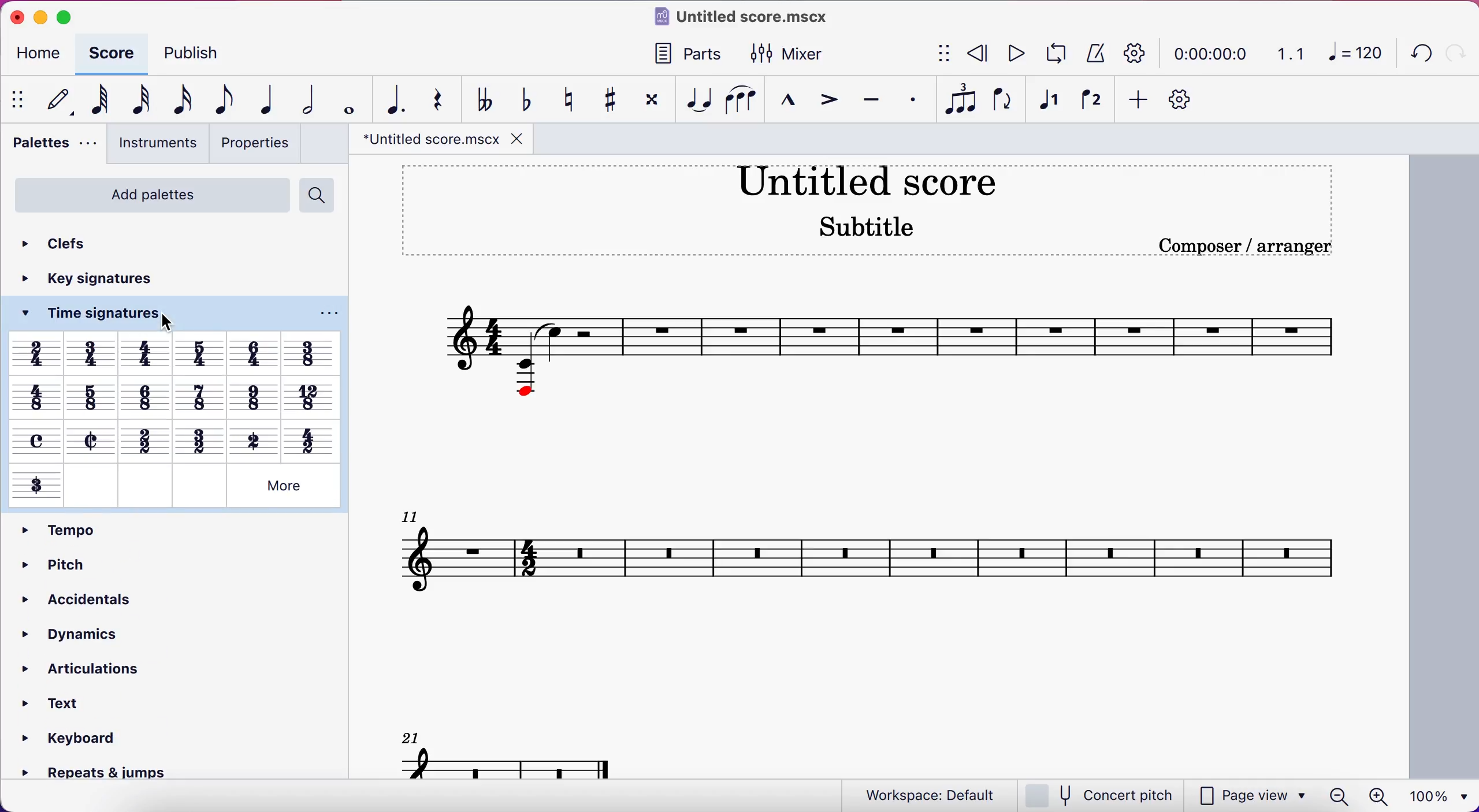 The height and width of the screenshot is (812, 1479). Describe the element at coordinates (1097, 54) in the screenshot. I see `metronome` at that location.